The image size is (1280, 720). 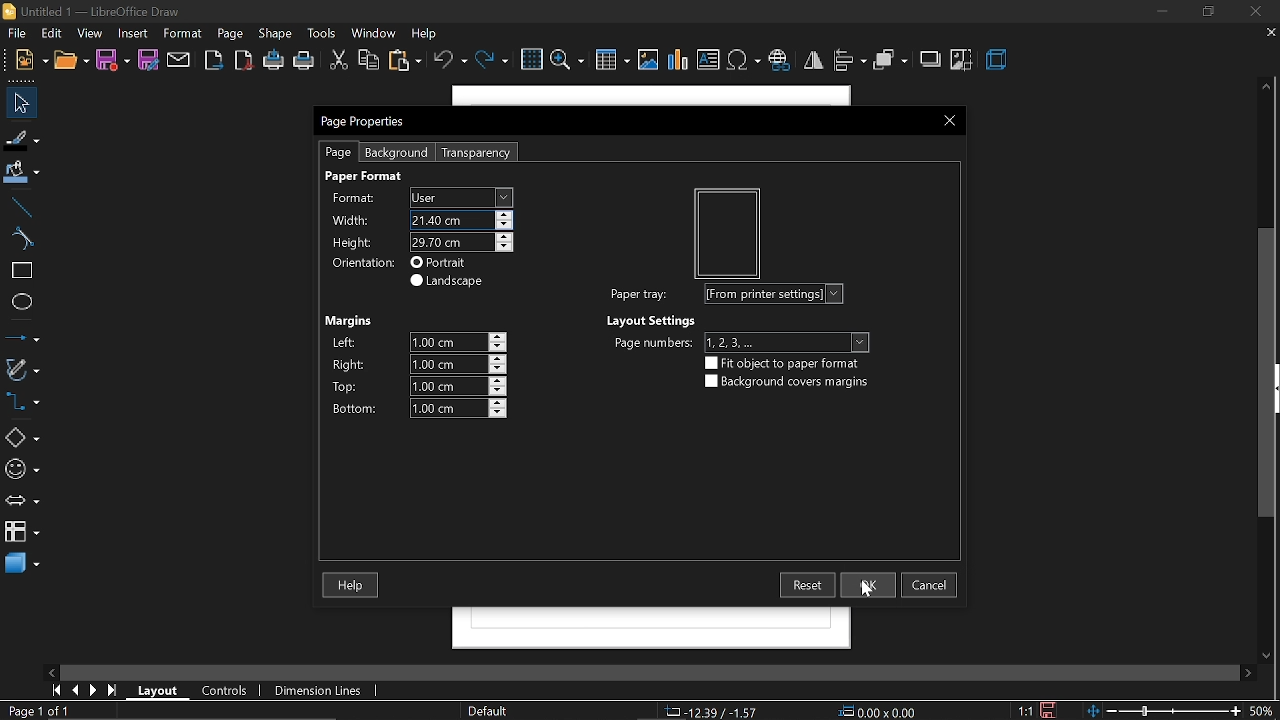 What do you see at coordinates (349, 217) in the screenshot?
I see `width` at bounding box center [349, 217].